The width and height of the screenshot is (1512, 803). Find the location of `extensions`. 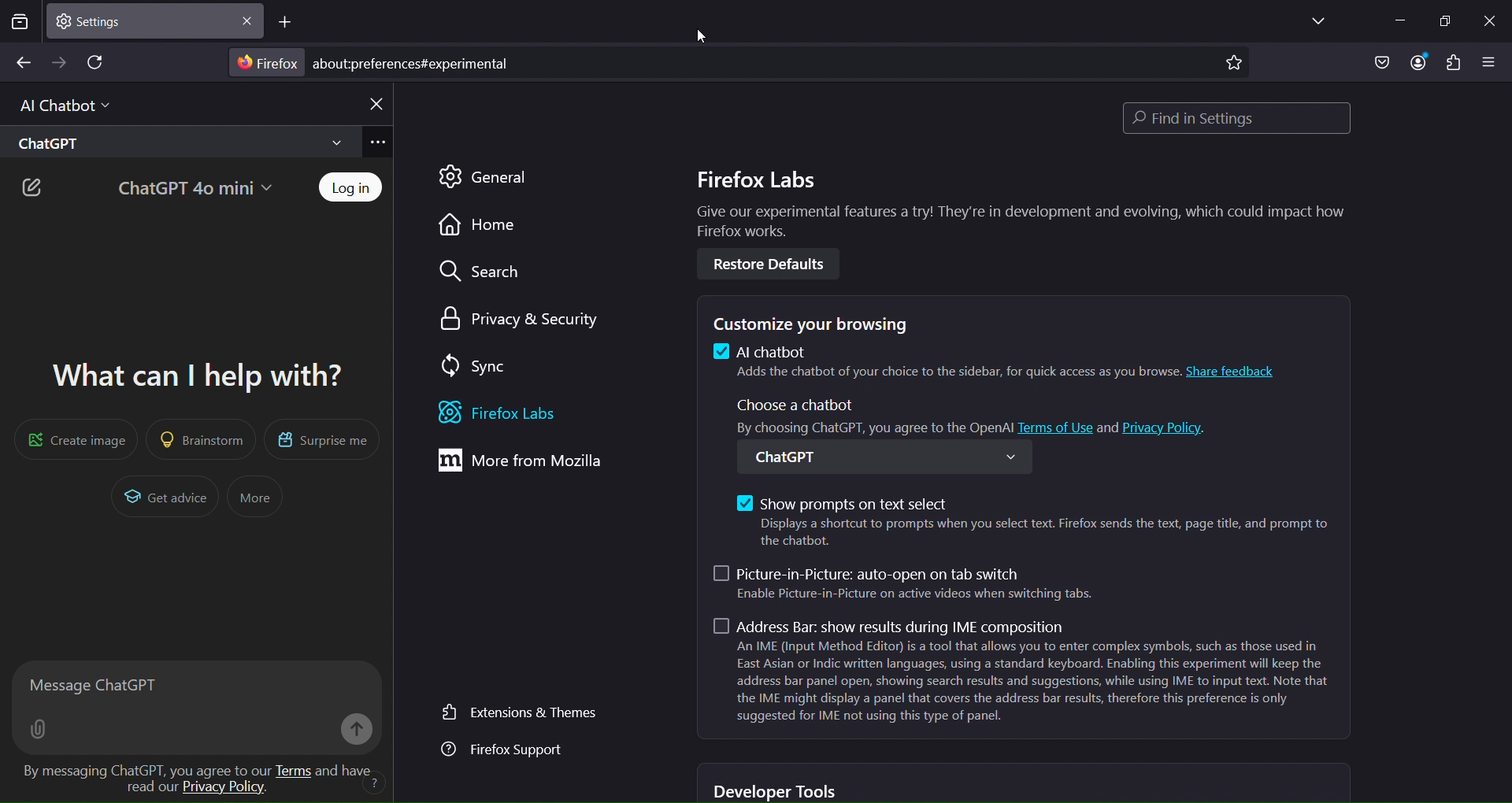

extensions is located at coordinates (1453, 65).